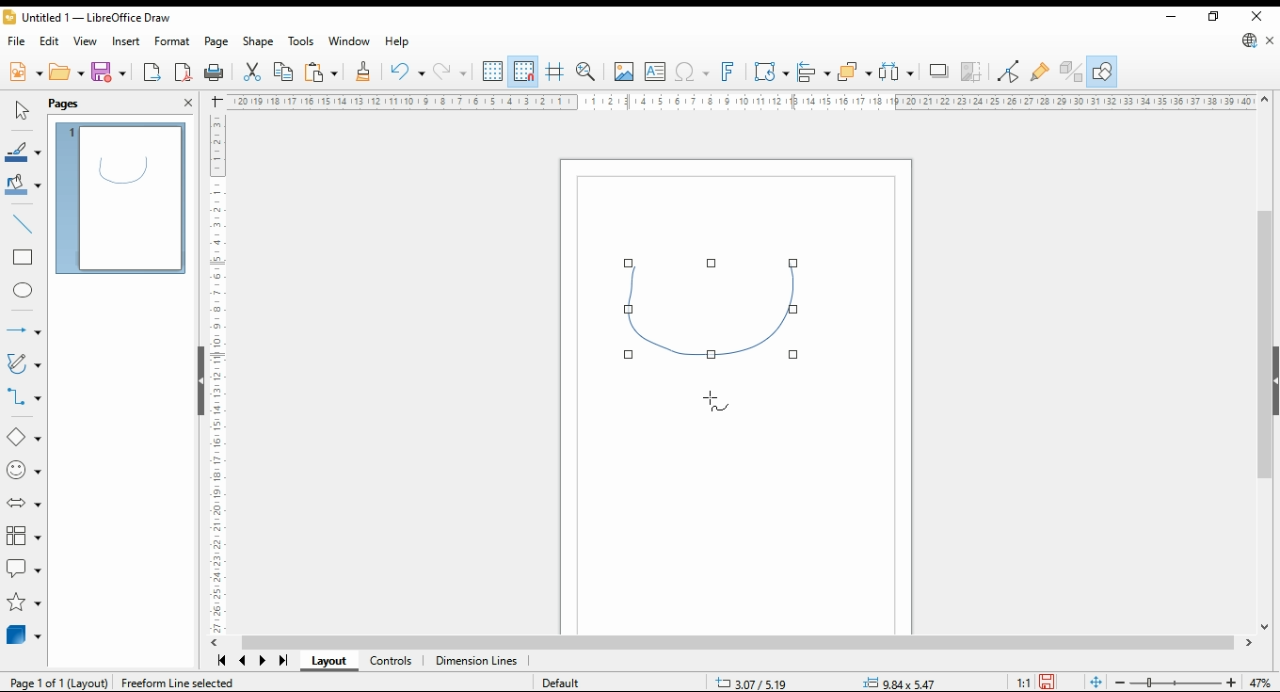  What do you see at coordinates (24, 292) in the screenshot?
I see `ellipse` at bounding box center [24, 292].